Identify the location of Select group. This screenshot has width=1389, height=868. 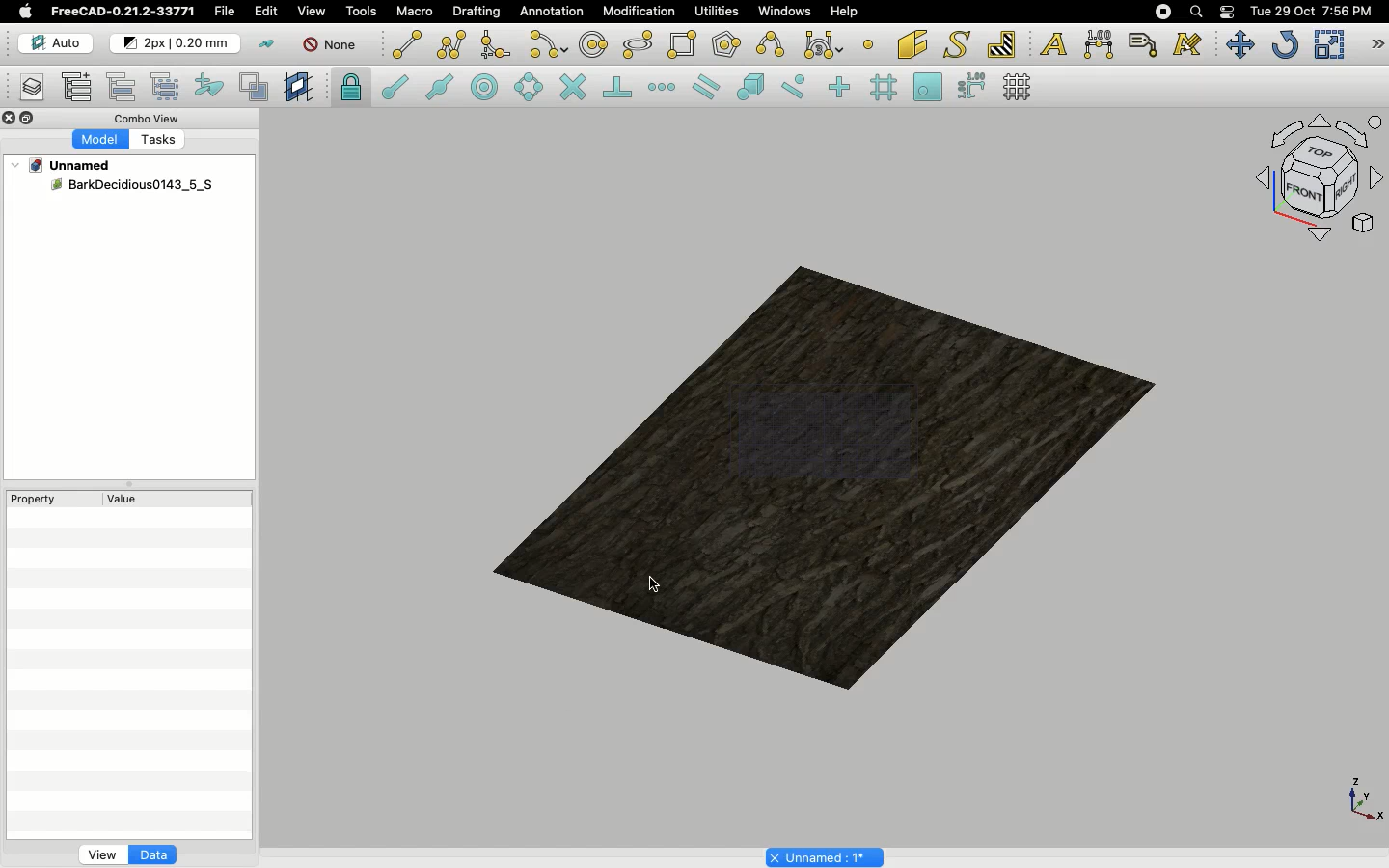
(167, 85).